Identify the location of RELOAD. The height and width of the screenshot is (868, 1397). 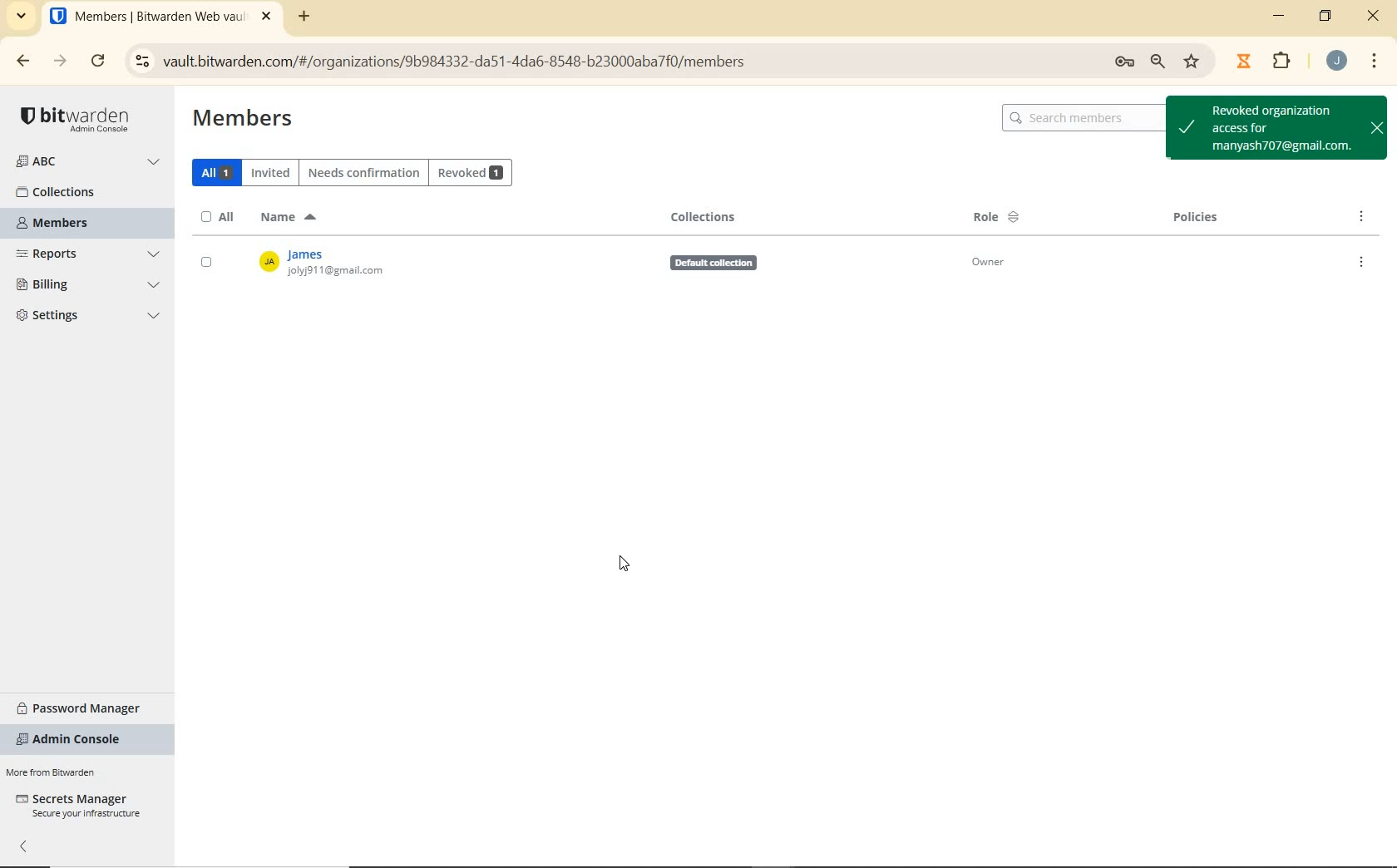
(98, 62).